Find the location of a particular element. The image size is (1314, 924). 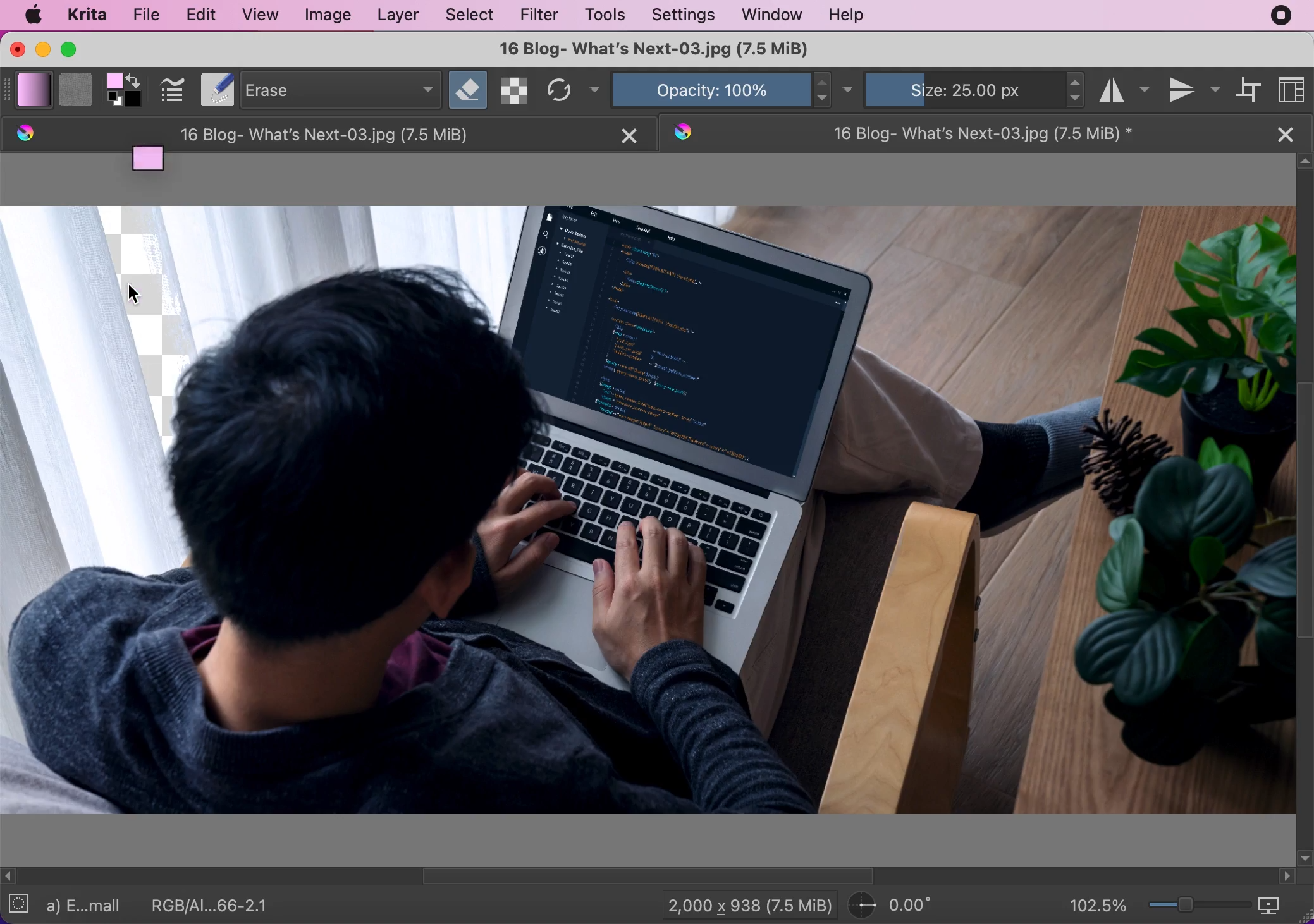

mac logo is located at coordinates (34, 15).